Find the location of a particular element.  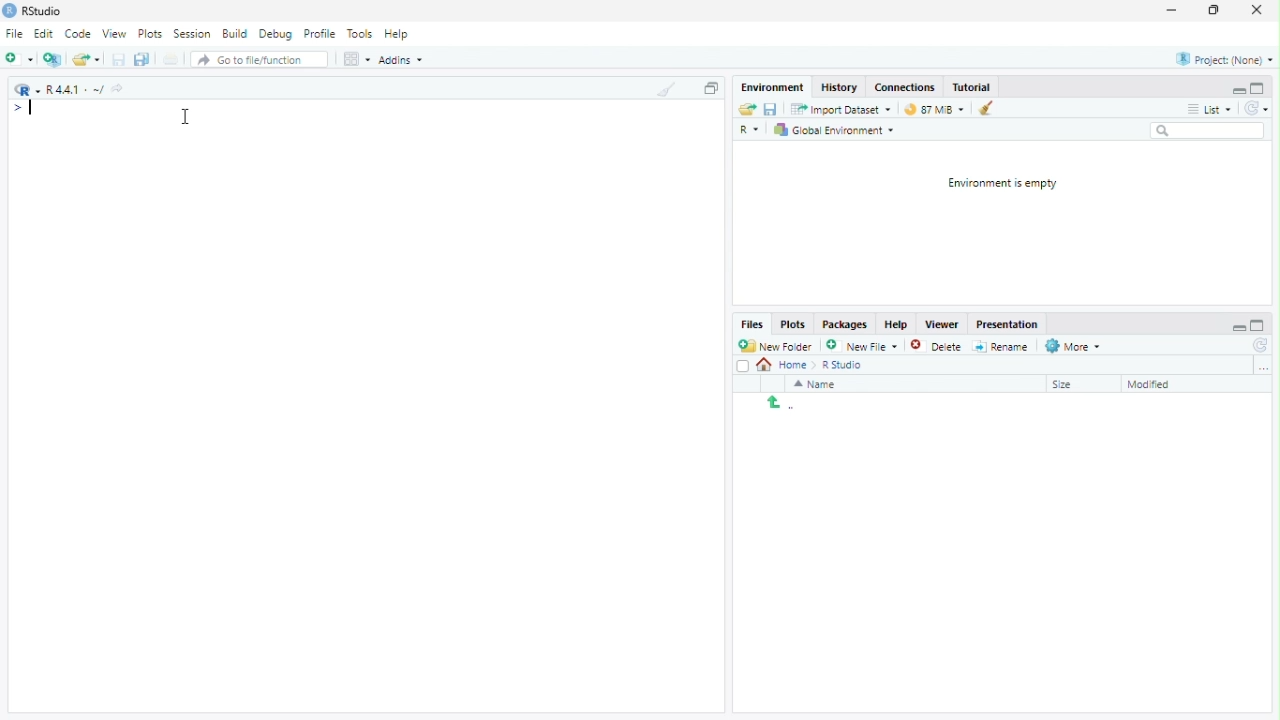

Plots is located at coordinates (794, 325).